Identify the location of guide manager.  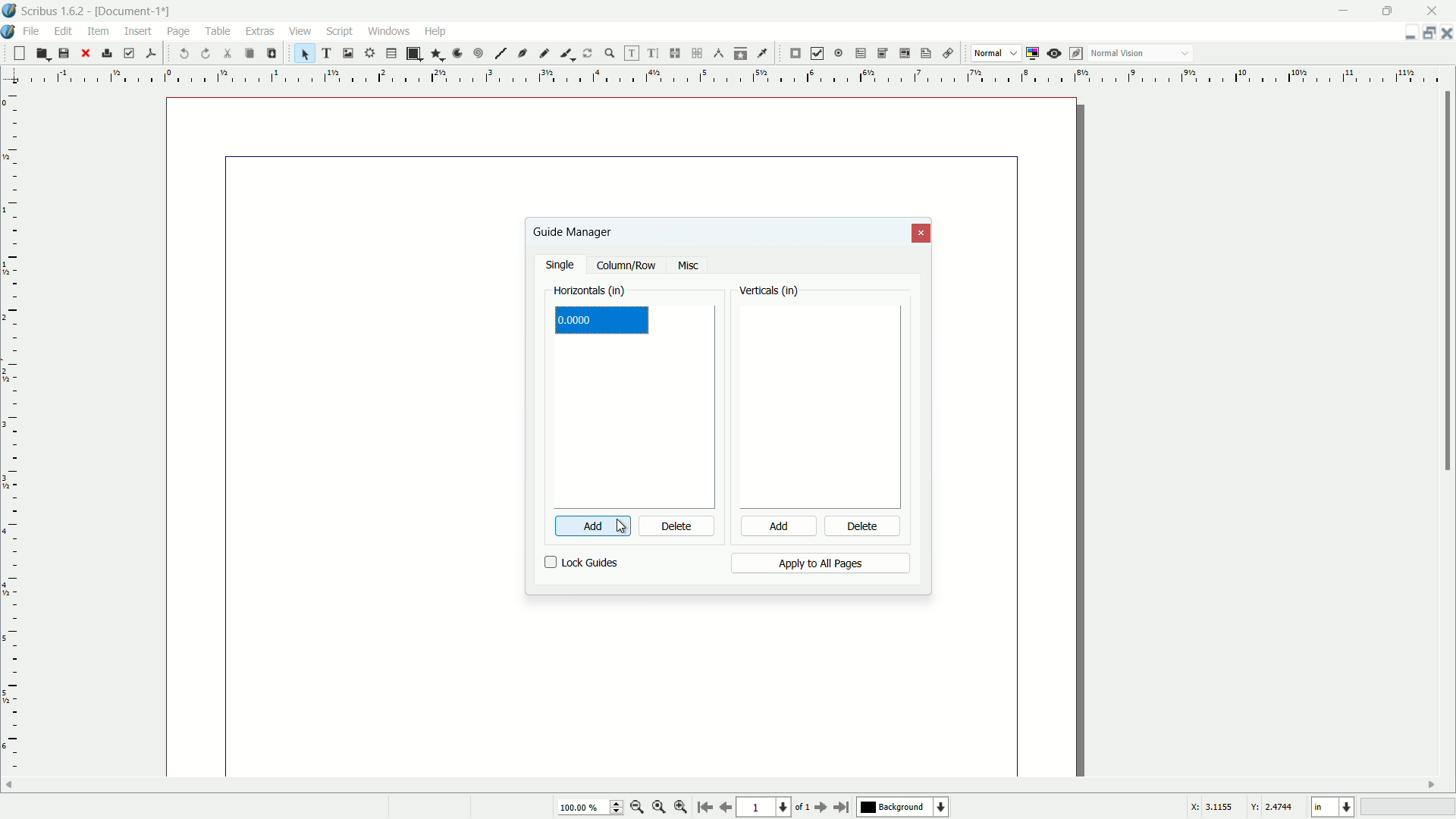
(572, 231).